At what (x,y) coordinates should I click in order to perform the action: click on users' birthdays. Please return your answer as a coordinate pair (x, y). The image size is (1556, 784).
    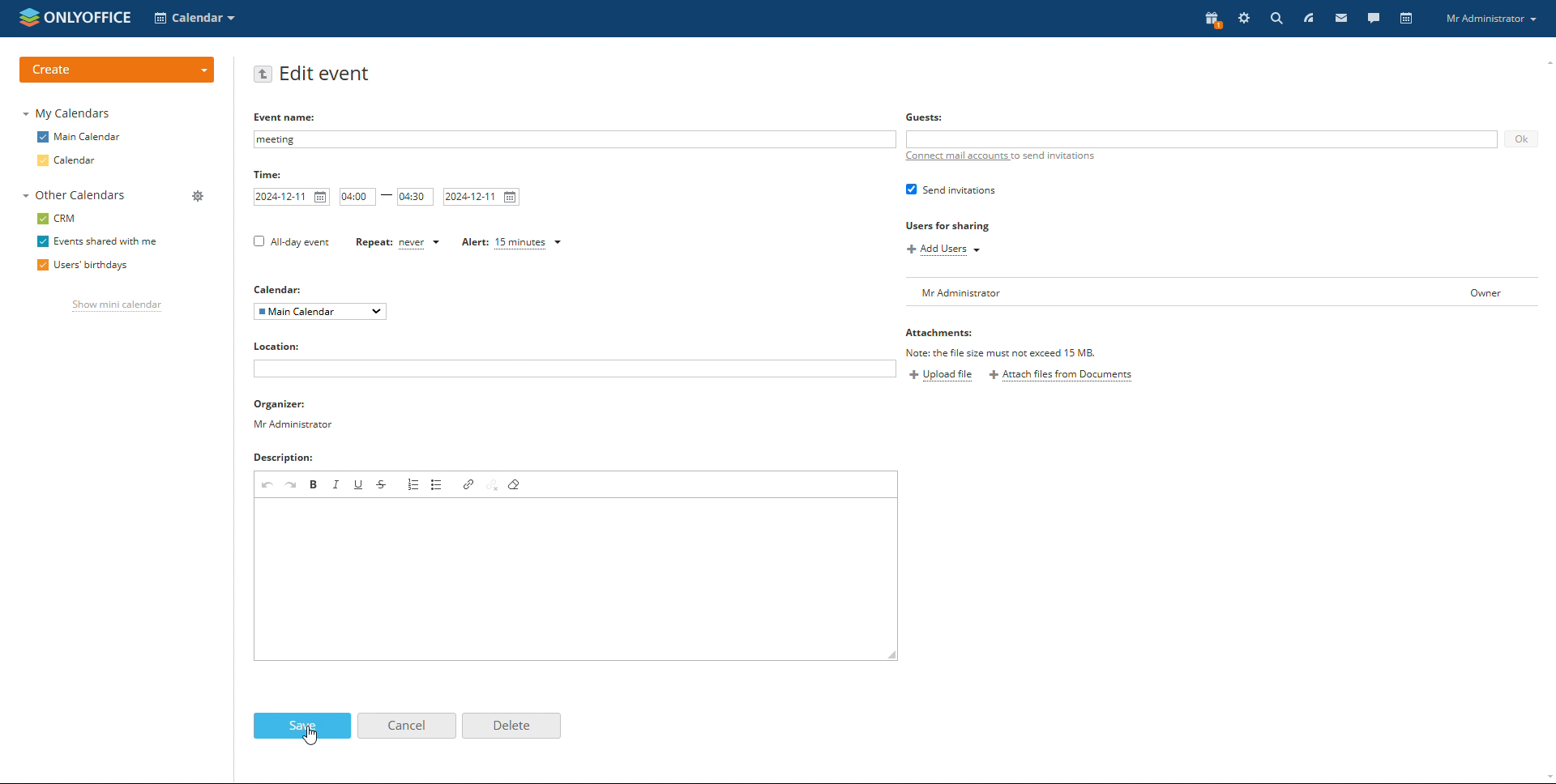
    Looking at the image, I should click on (79, 266).